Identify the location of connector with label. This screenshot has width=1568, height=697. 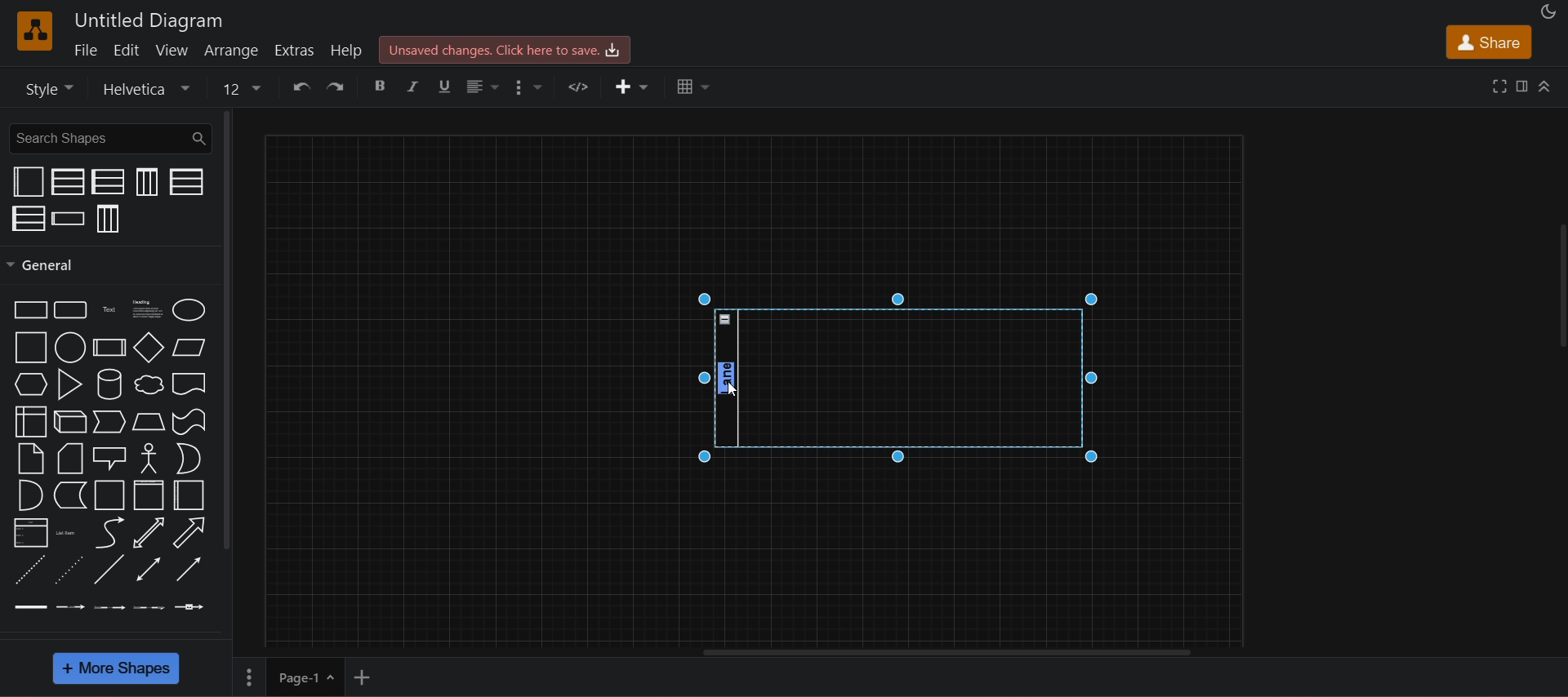
(69, 608).